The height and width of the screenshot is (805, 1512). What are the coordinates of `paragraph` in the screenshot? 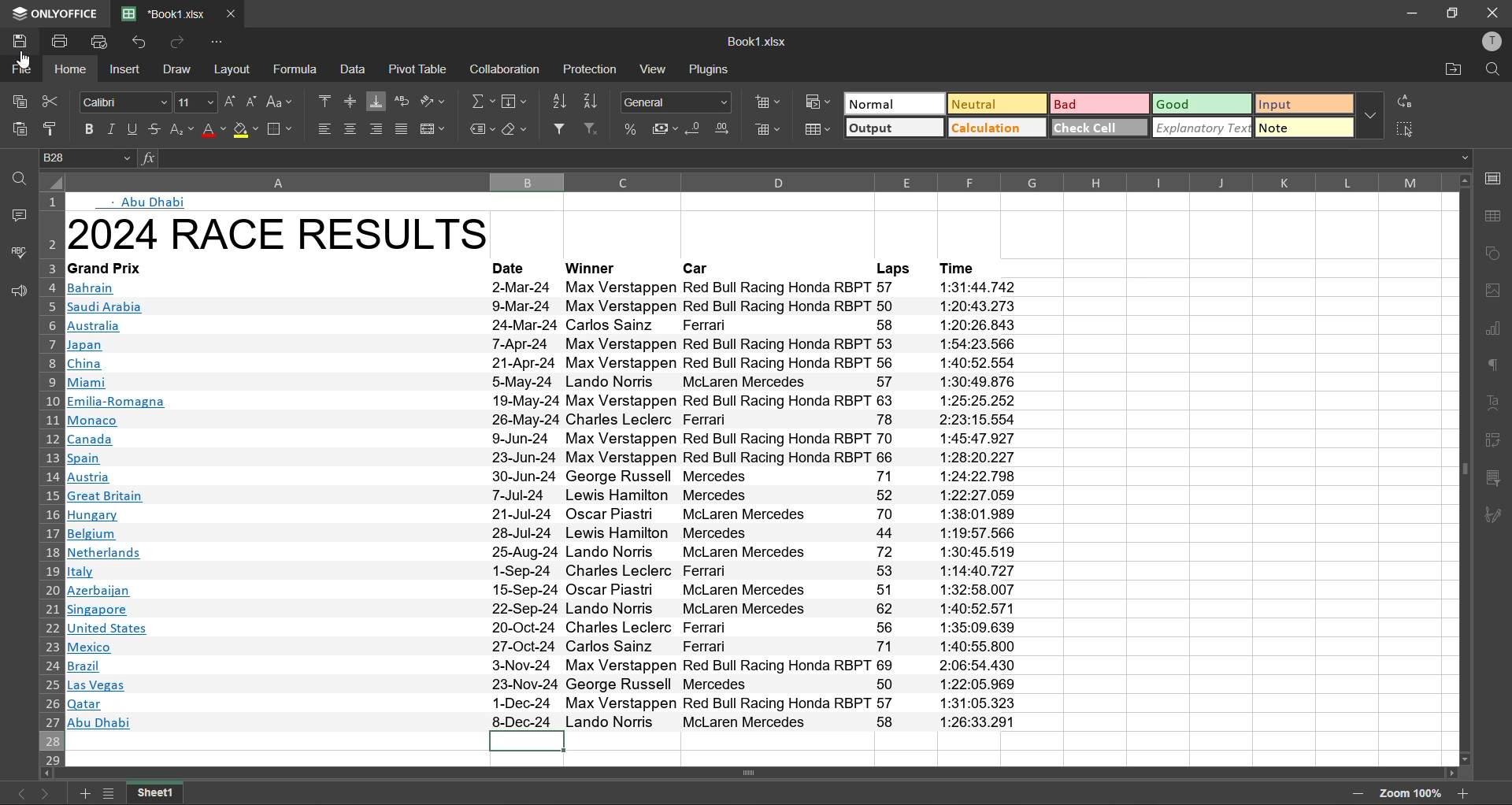 It's located at (1497, 365).